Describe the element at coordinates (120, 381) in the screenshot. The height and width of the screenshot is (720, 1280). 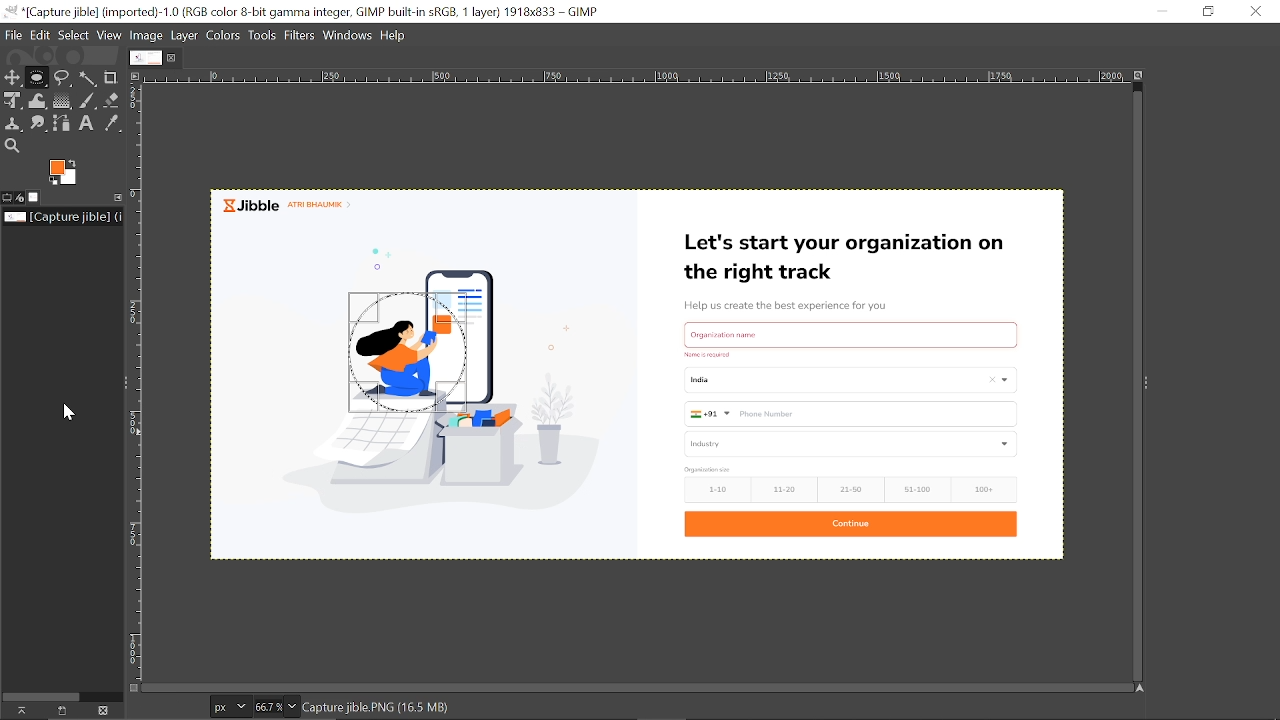
I see `Sidebar menu` at that location.